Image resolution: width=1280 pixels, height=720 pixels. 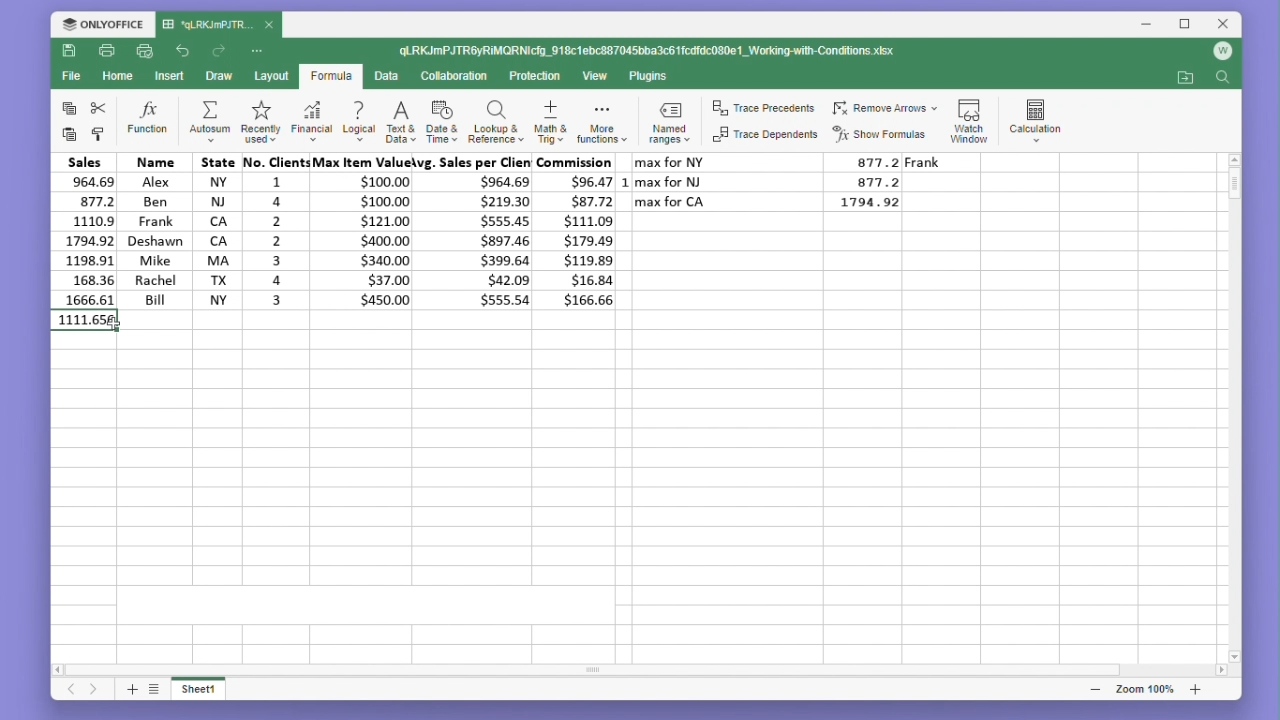 I want to click on sales, so click(x=86, y=230).